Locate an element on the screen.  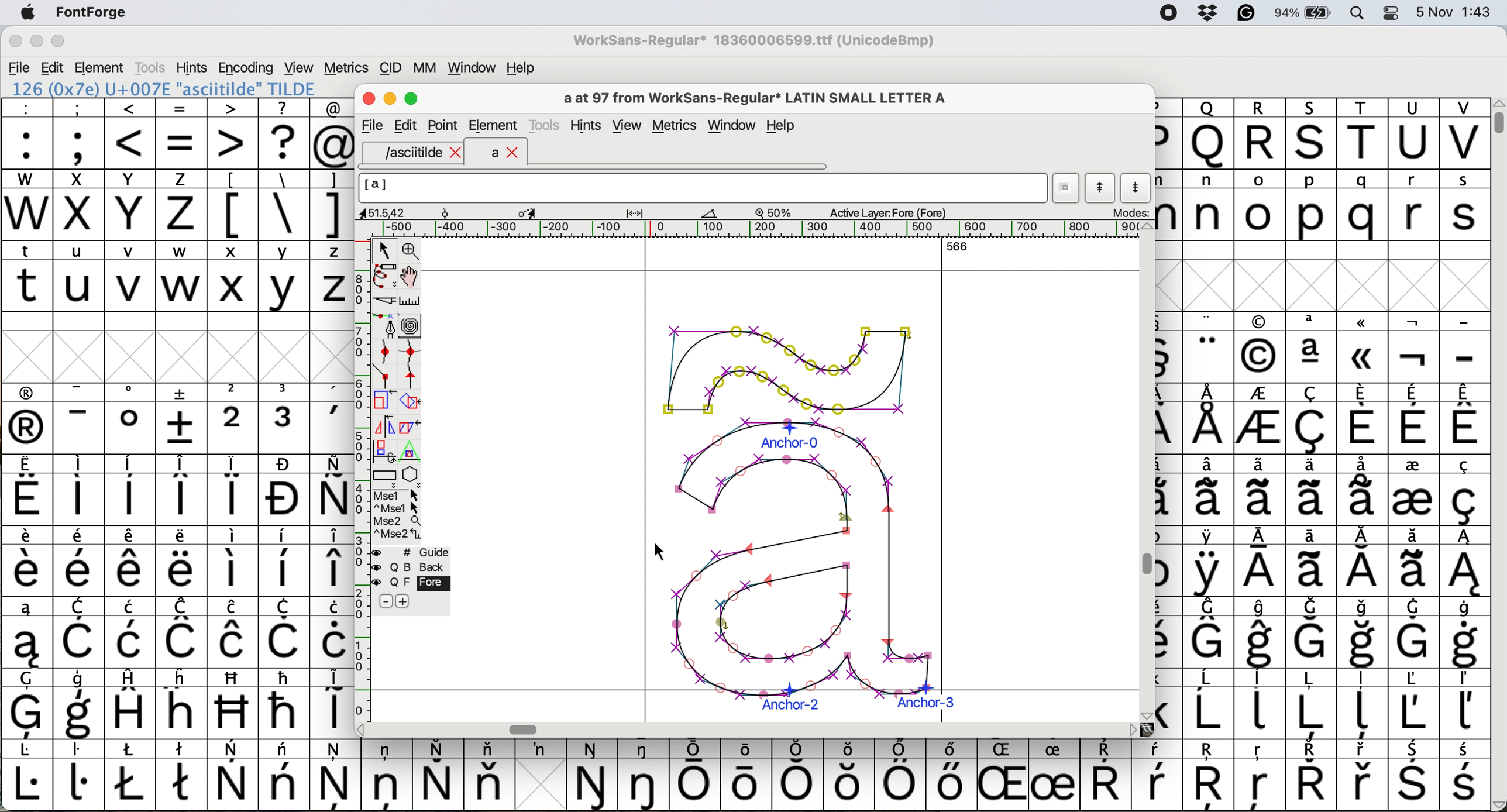
mm is located at coordinates (424, 67).